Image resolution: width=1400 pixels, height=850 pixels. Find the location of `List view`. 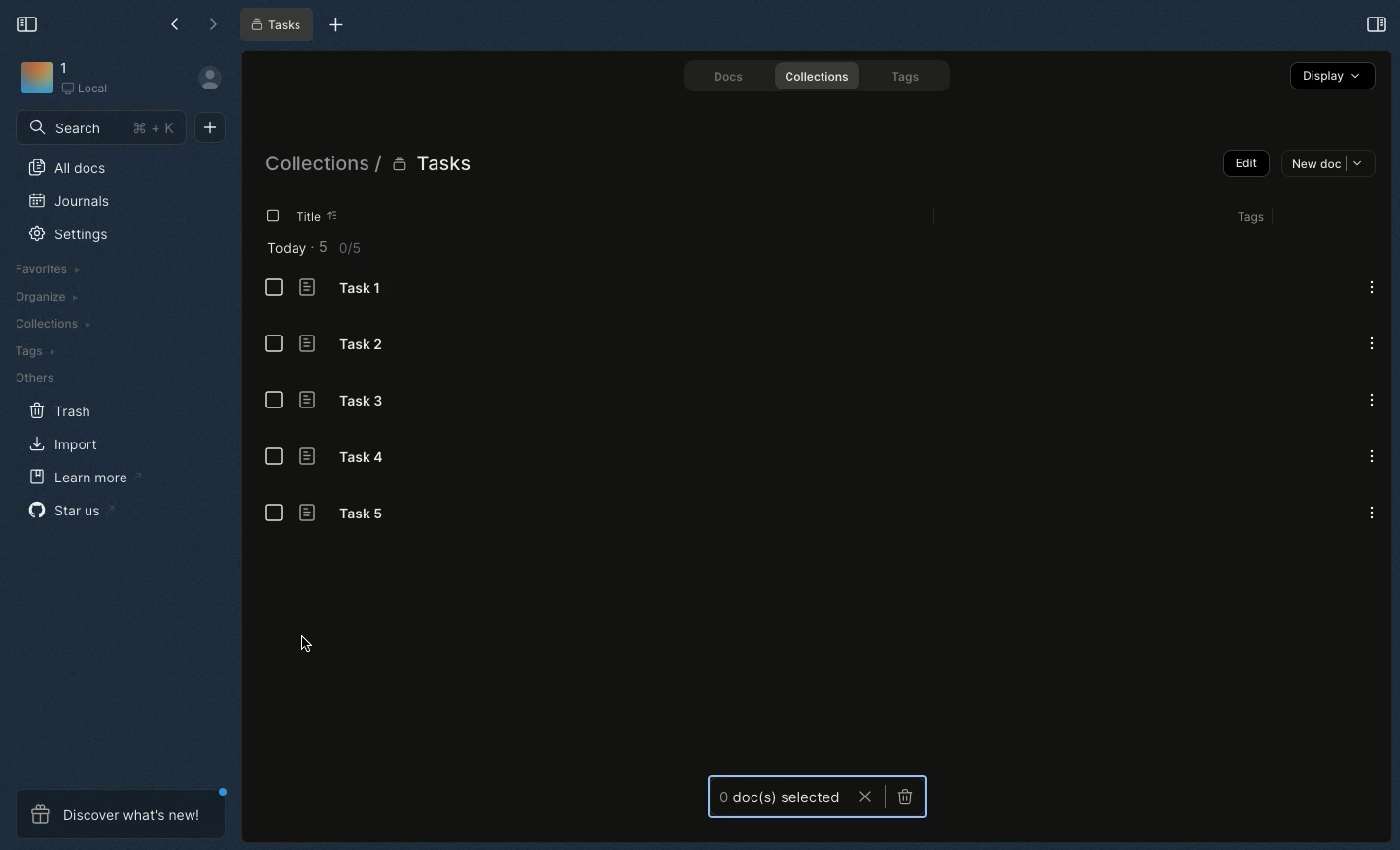

List view is located at coordinates (276, 288).